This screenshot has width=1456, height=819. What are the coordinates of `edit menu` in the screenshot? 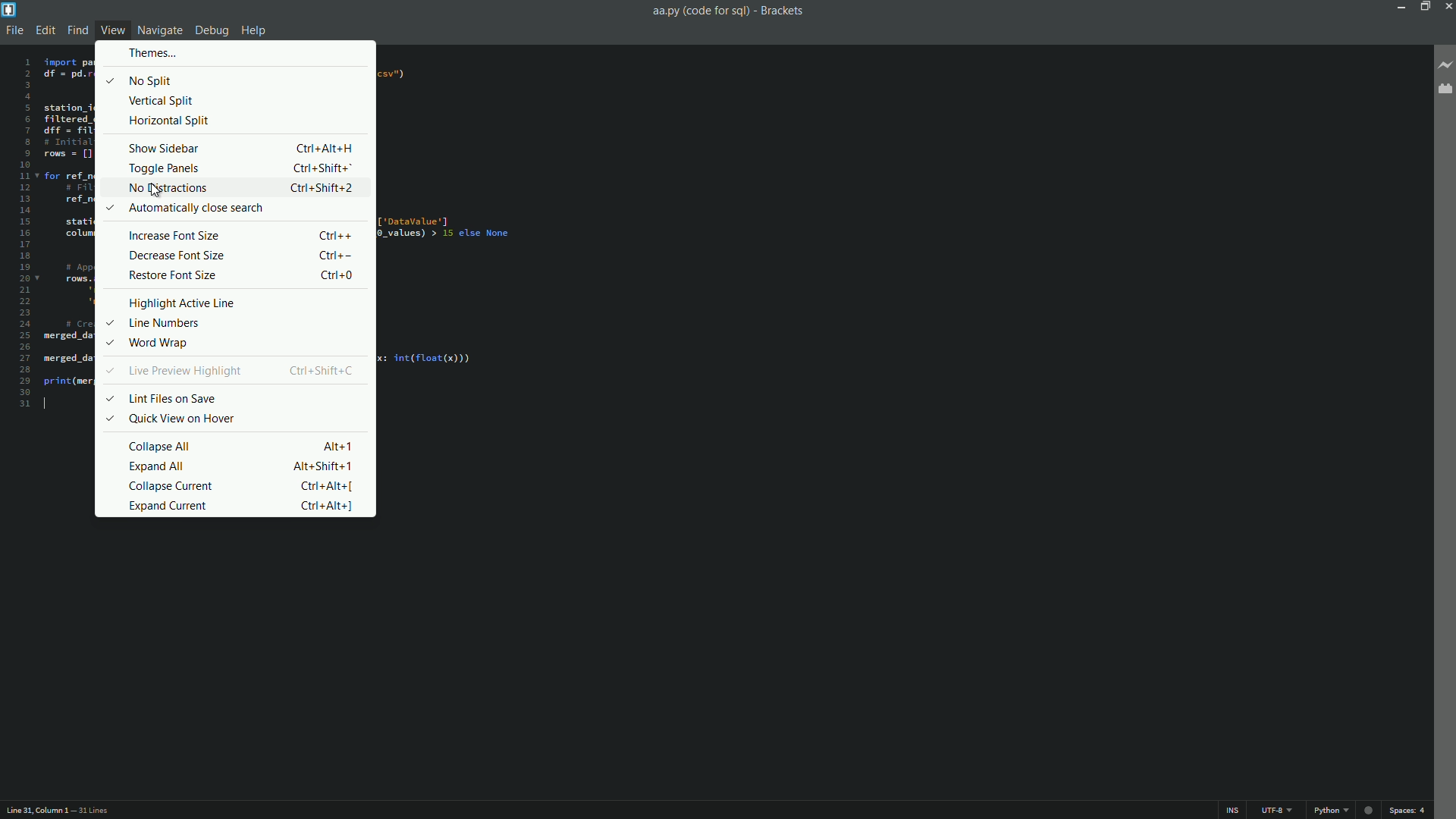 It's located at (42, 30).